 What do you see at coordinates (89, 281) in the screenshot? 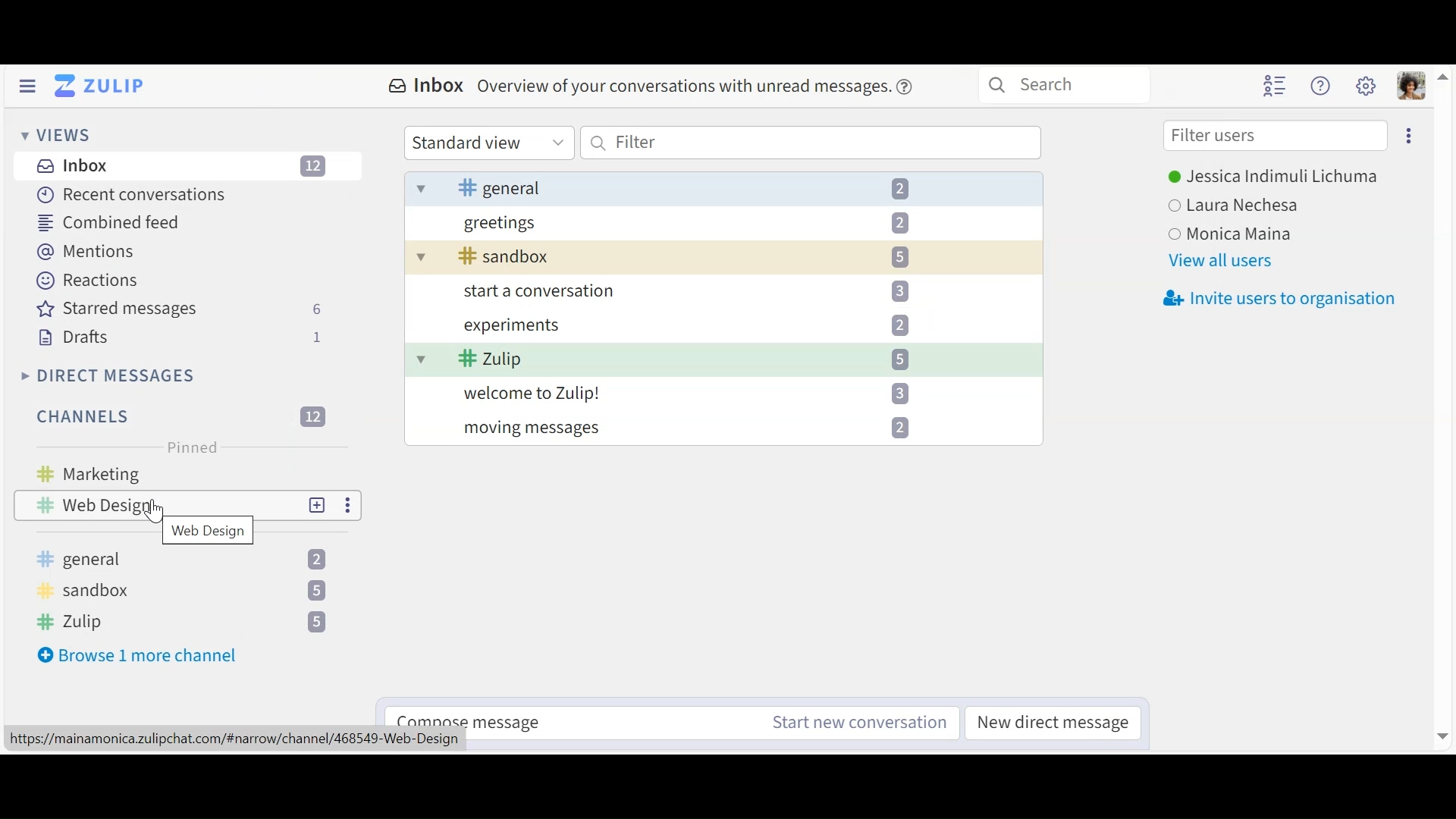
I see `Reactions` at bounding box center [89, 281].